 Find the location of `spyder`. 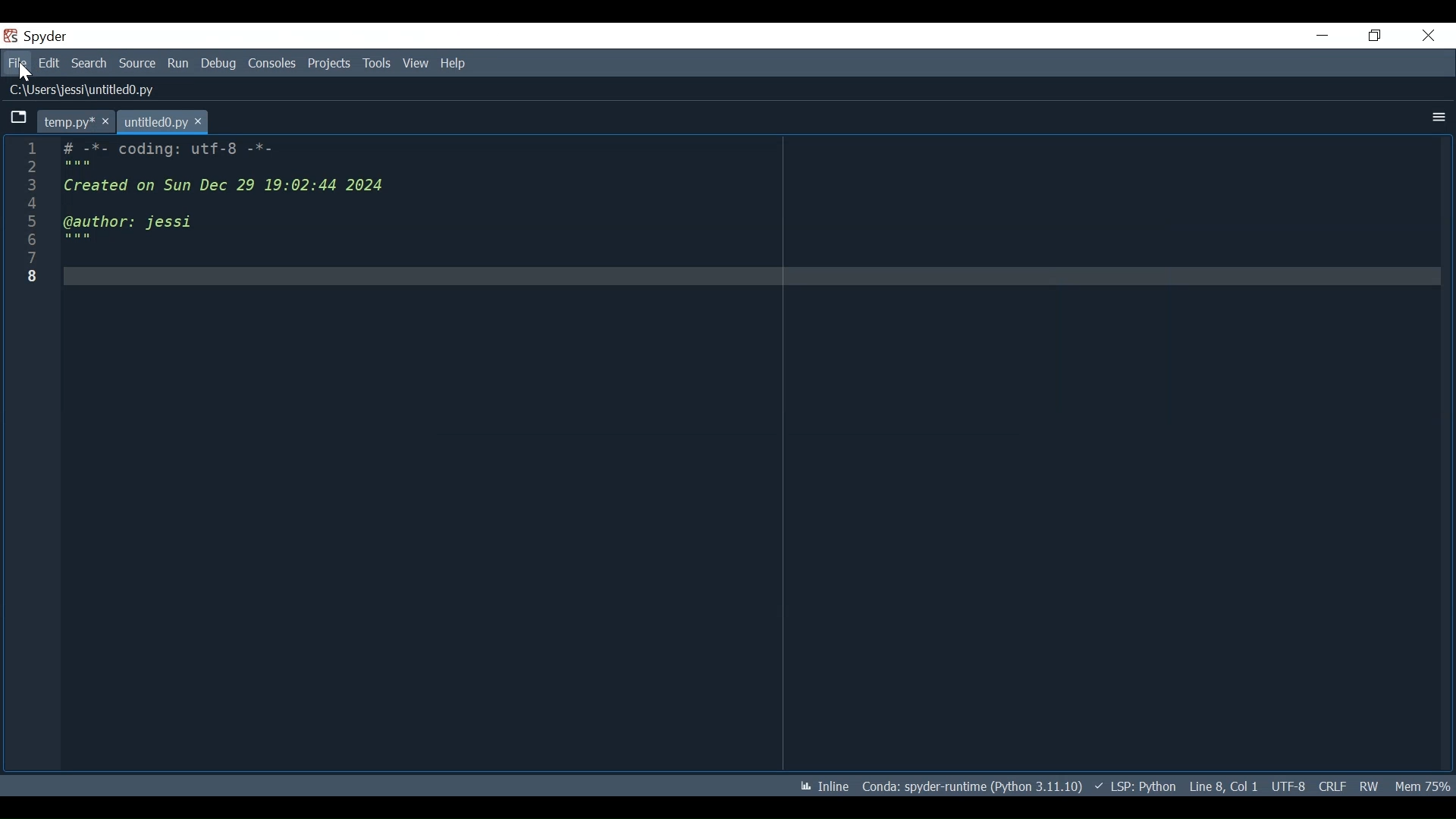

spyder is located at coordinates (49, 36).